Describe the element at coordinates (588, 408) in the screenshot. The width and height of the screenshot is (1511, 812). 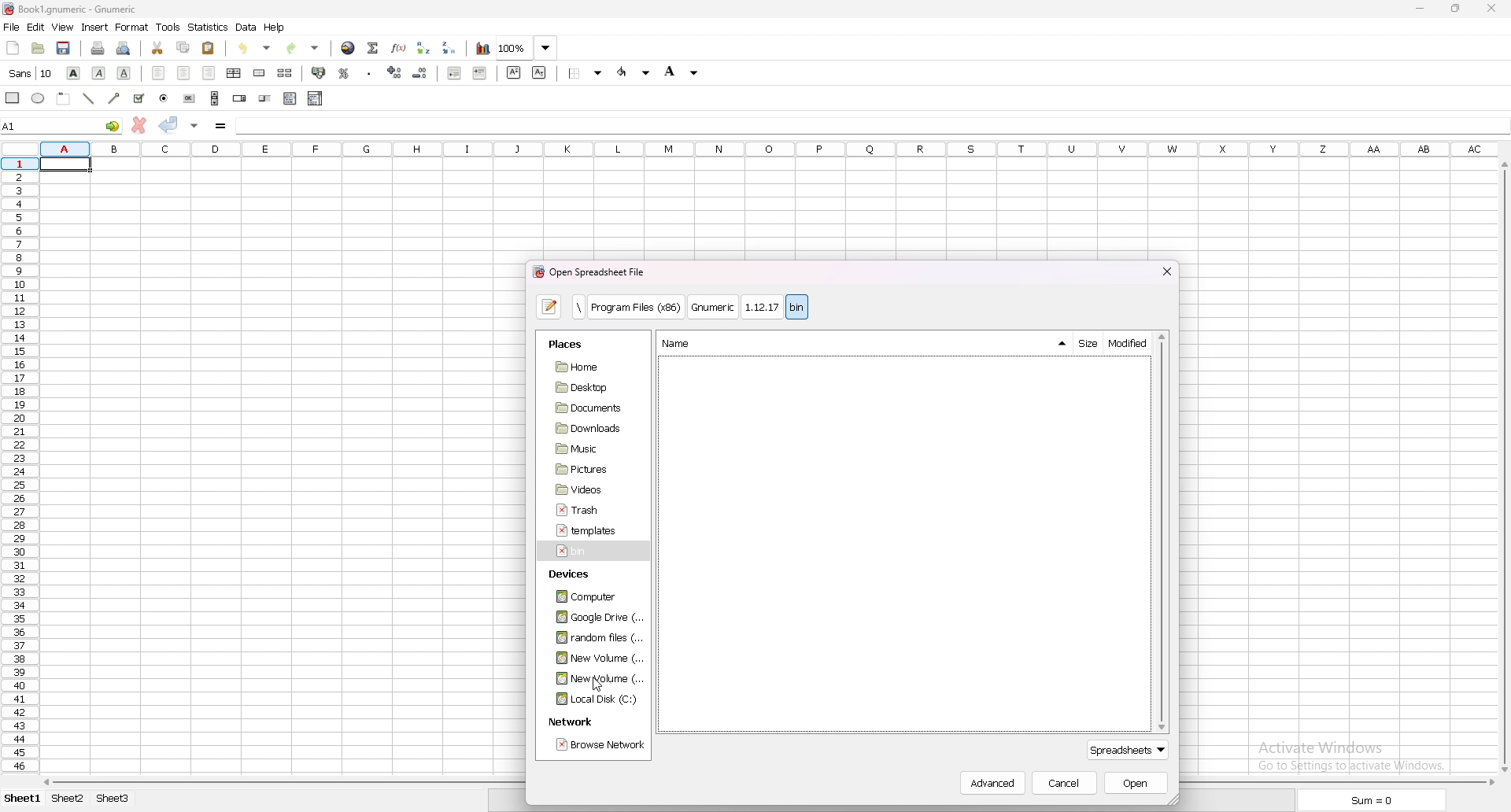
I see `documents` at that location.